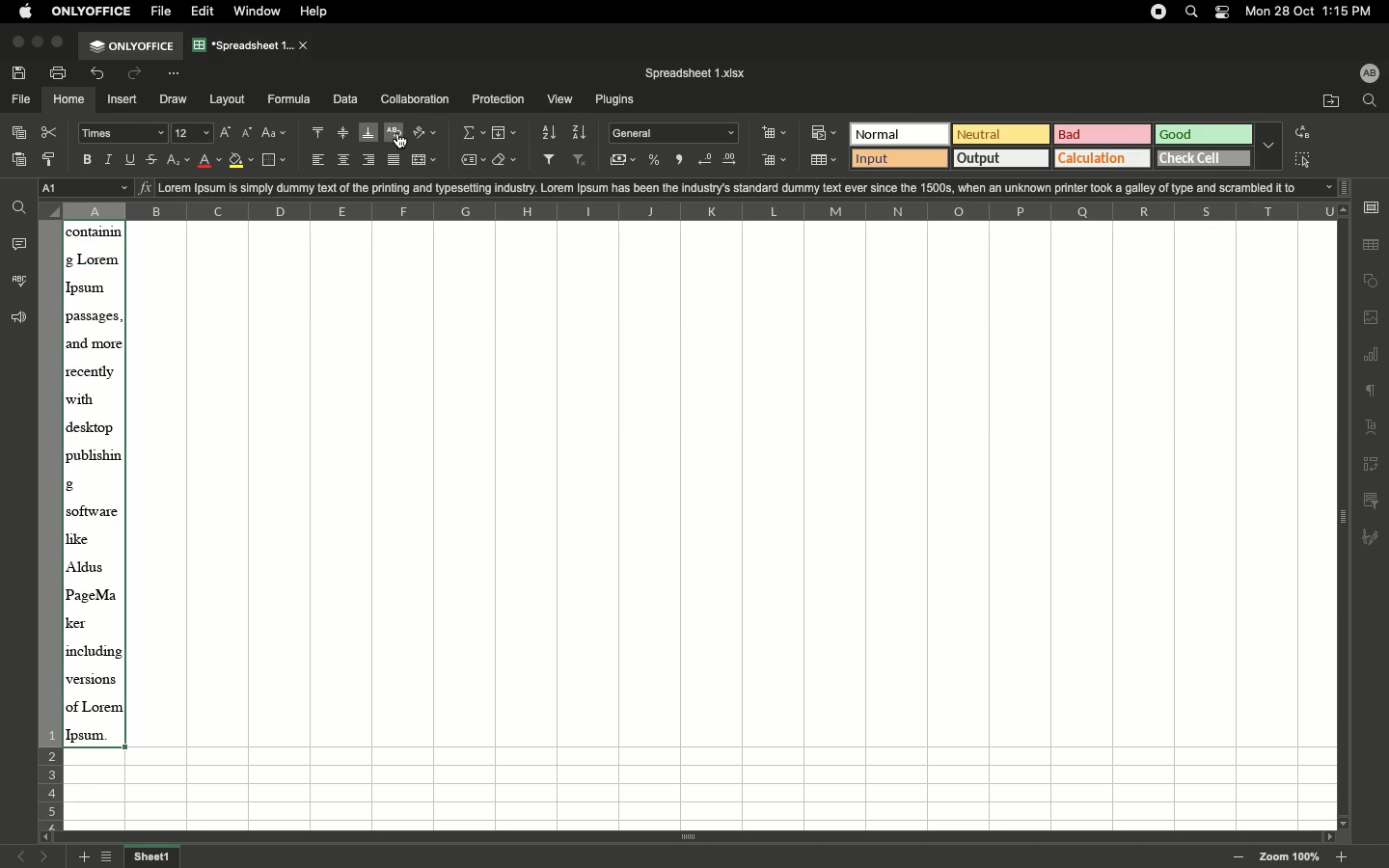 Image resolution: width=1389 pixels, height=868 pixels. What do you see at coordinates (616, 101) in the screenshot?
I see `Plugins` at bounding box center [616, 101].